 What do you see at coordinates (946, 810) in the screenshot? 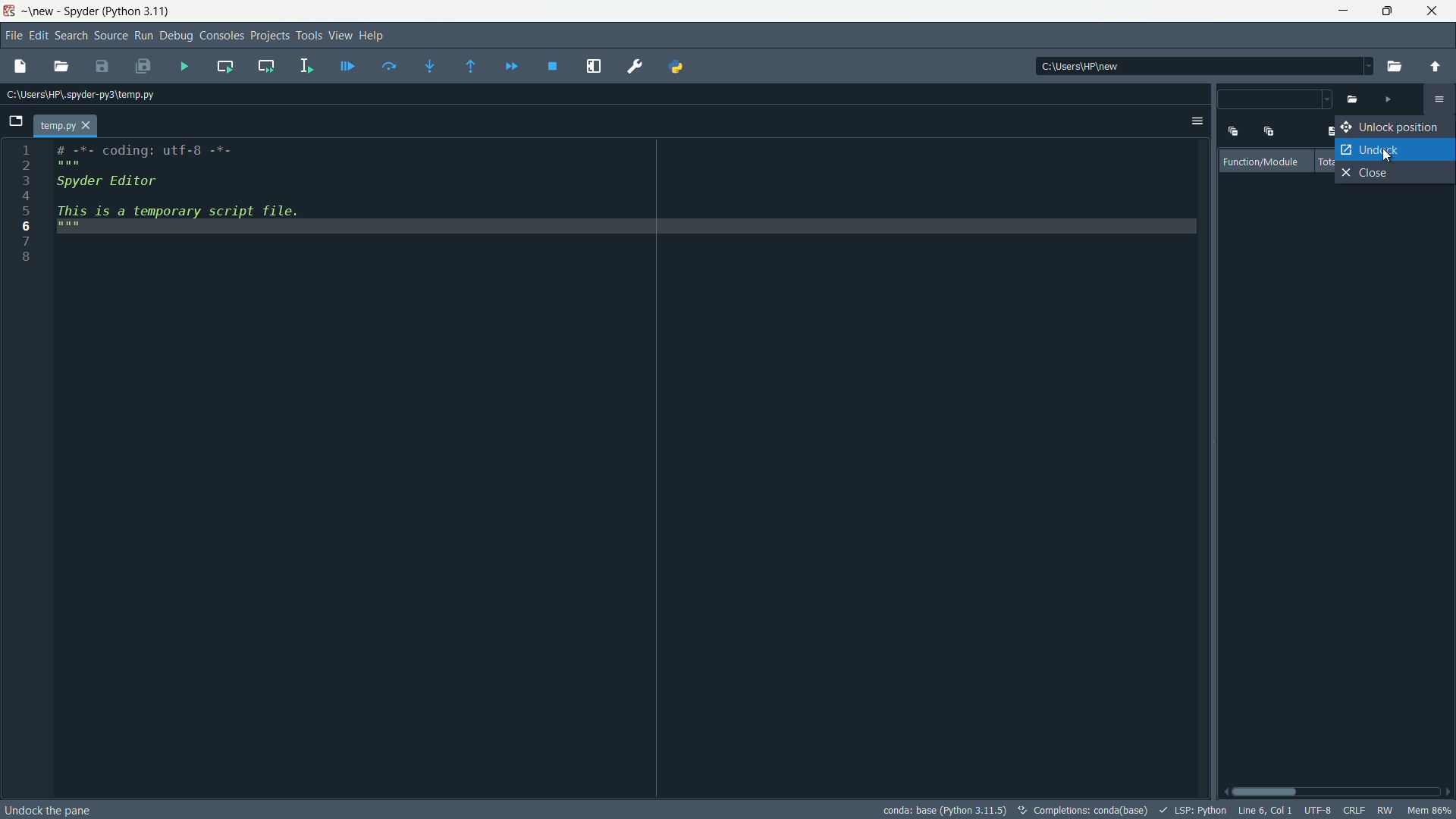
I see `conda: base (Python 3.11.5)` at bounding box center [946, 810].